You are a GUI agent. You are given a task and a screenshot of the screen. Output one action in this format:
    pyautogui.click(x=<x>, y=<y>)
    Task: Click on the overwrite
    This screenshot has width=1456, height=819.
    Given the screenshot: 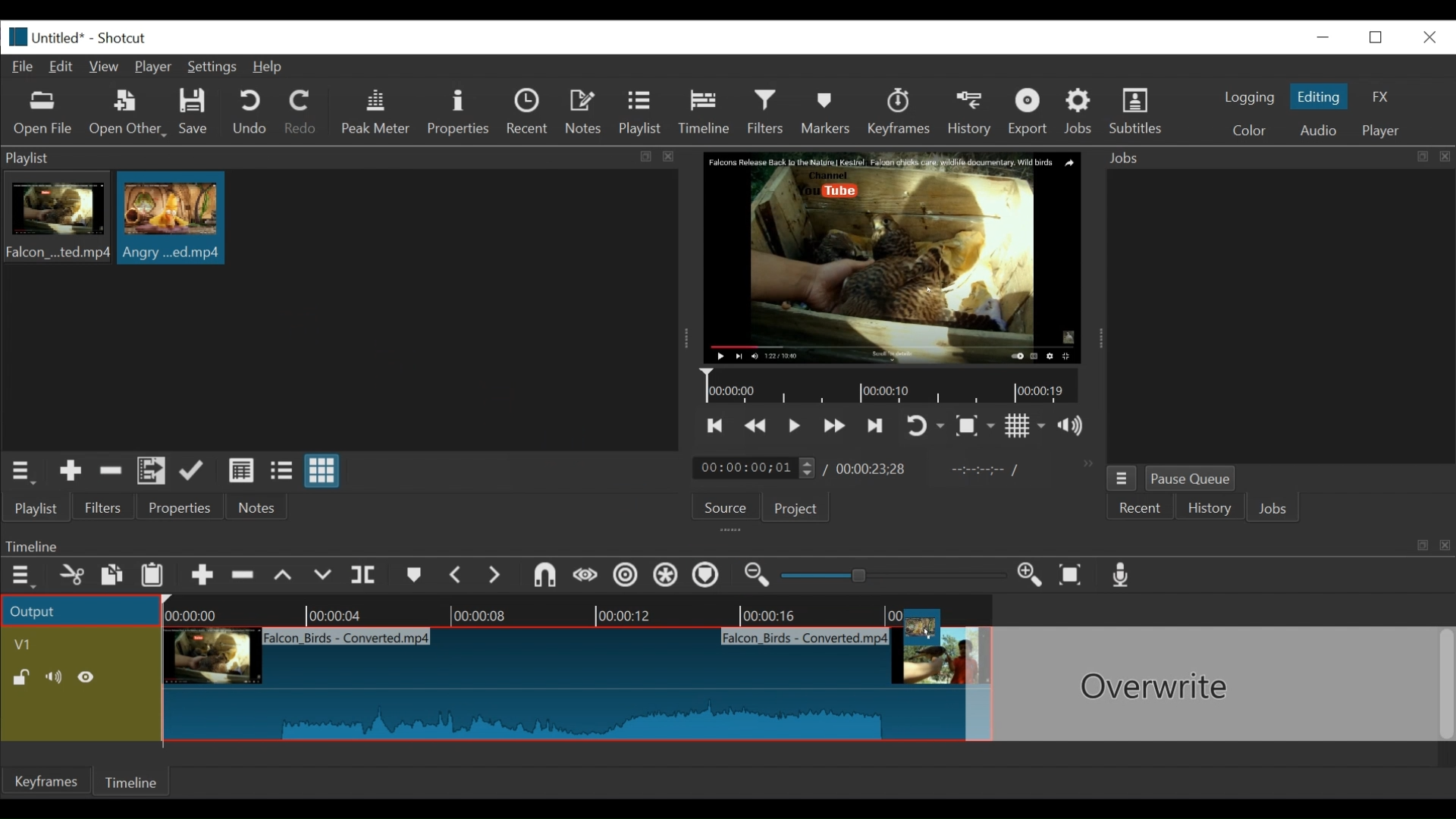 What is the action you would take?
    pyautogui.click(x=1211, y=684)
    